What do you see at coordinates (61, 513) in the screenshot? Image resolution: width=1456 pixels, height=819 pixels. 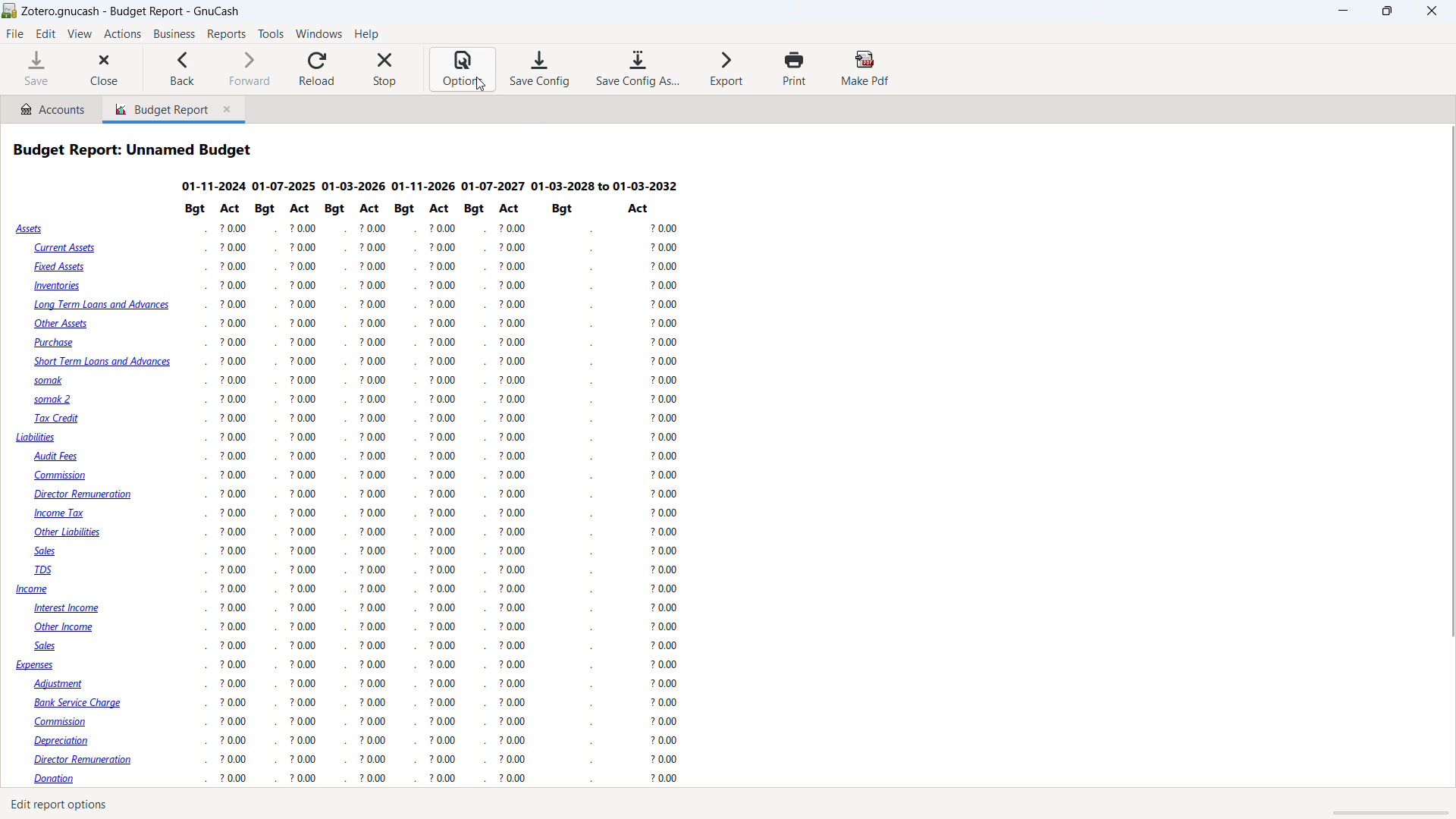 I see `Income Tax` at bounding box center [61, 513].